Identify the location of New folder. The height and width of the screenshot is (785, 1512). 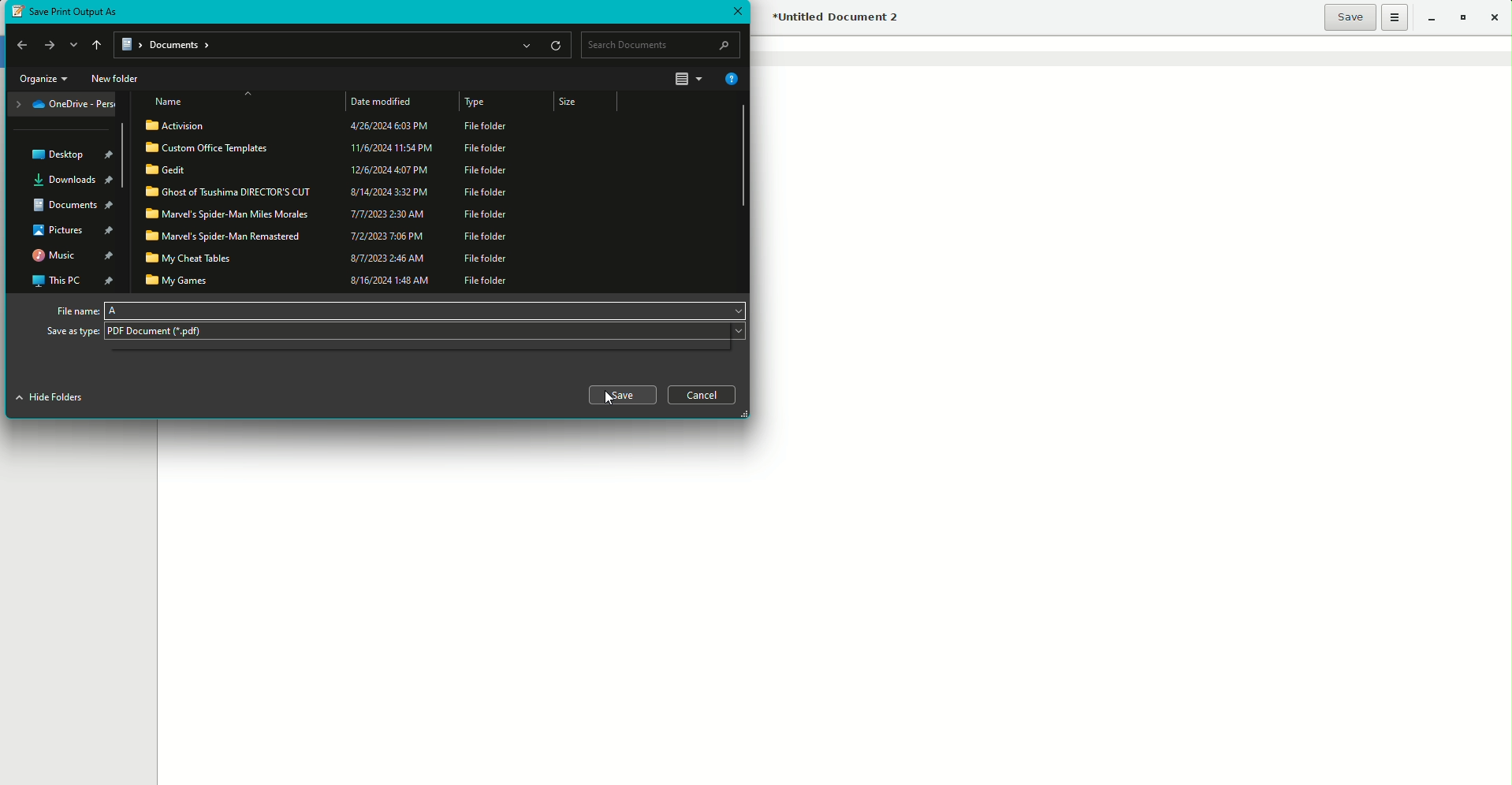
(116, 78).